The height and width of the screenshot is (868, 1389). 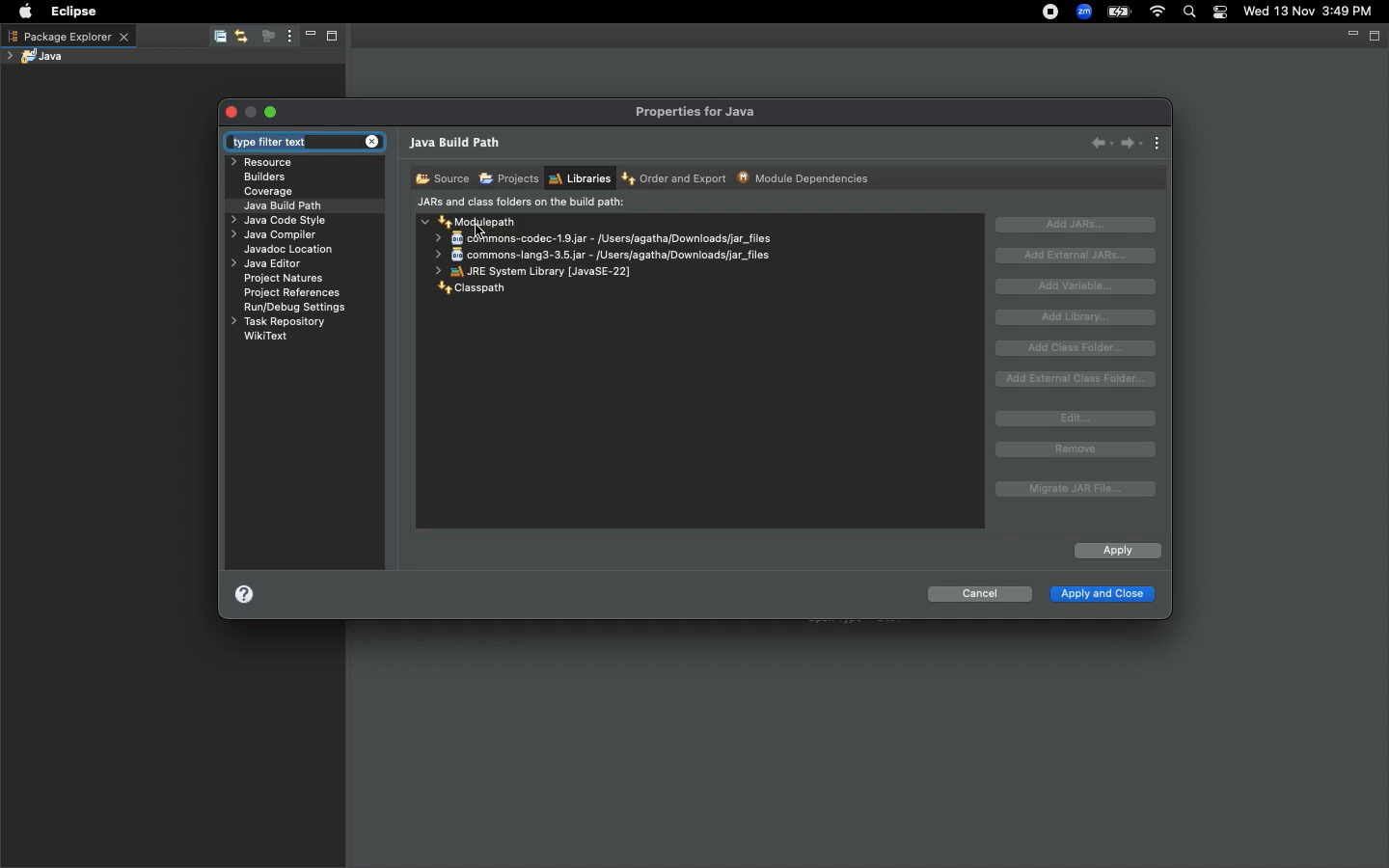 I want to click on Add variable, so click(x=1080, y=286).